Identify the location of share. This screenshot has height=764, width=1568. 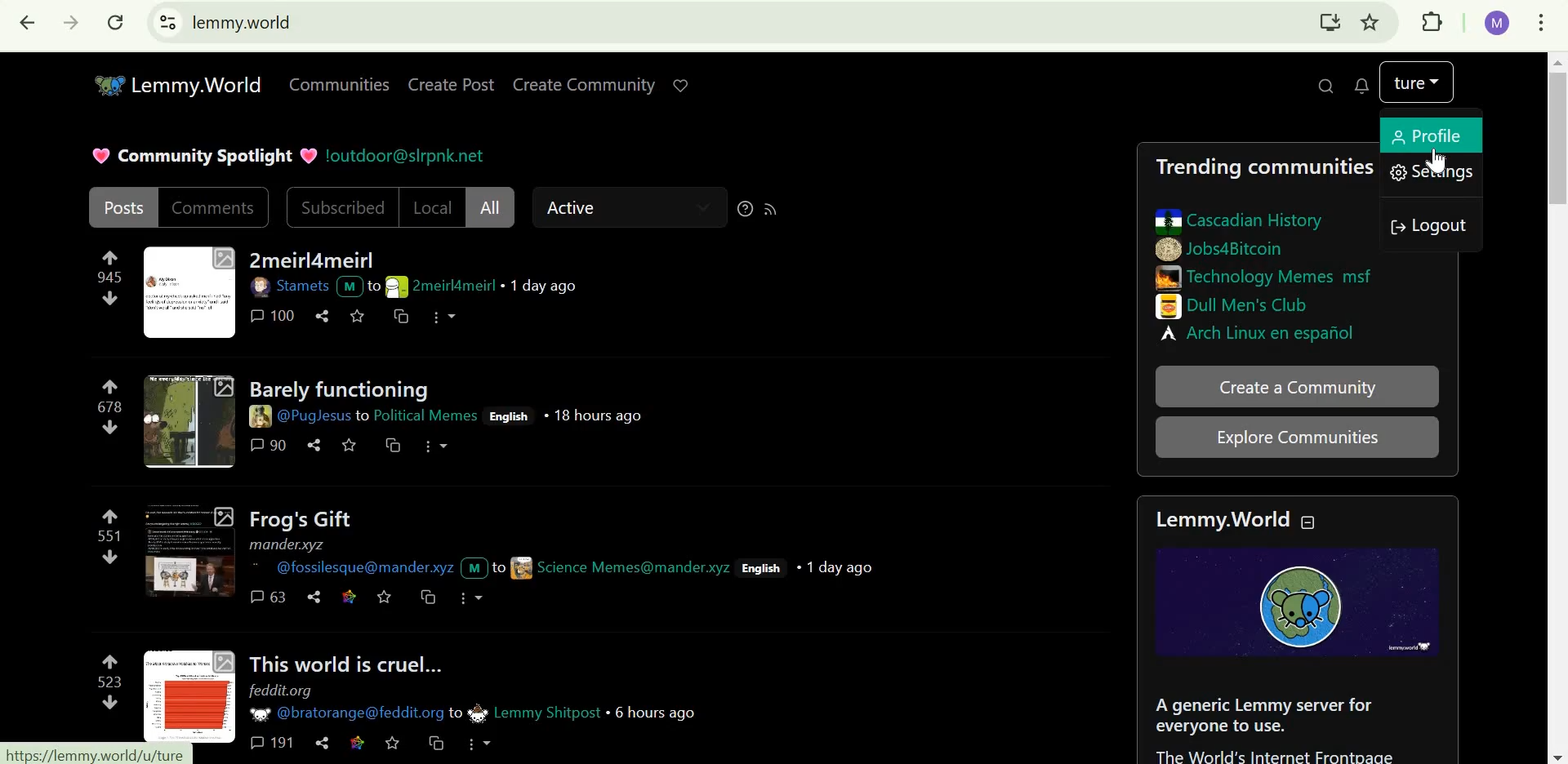
(325, 315).